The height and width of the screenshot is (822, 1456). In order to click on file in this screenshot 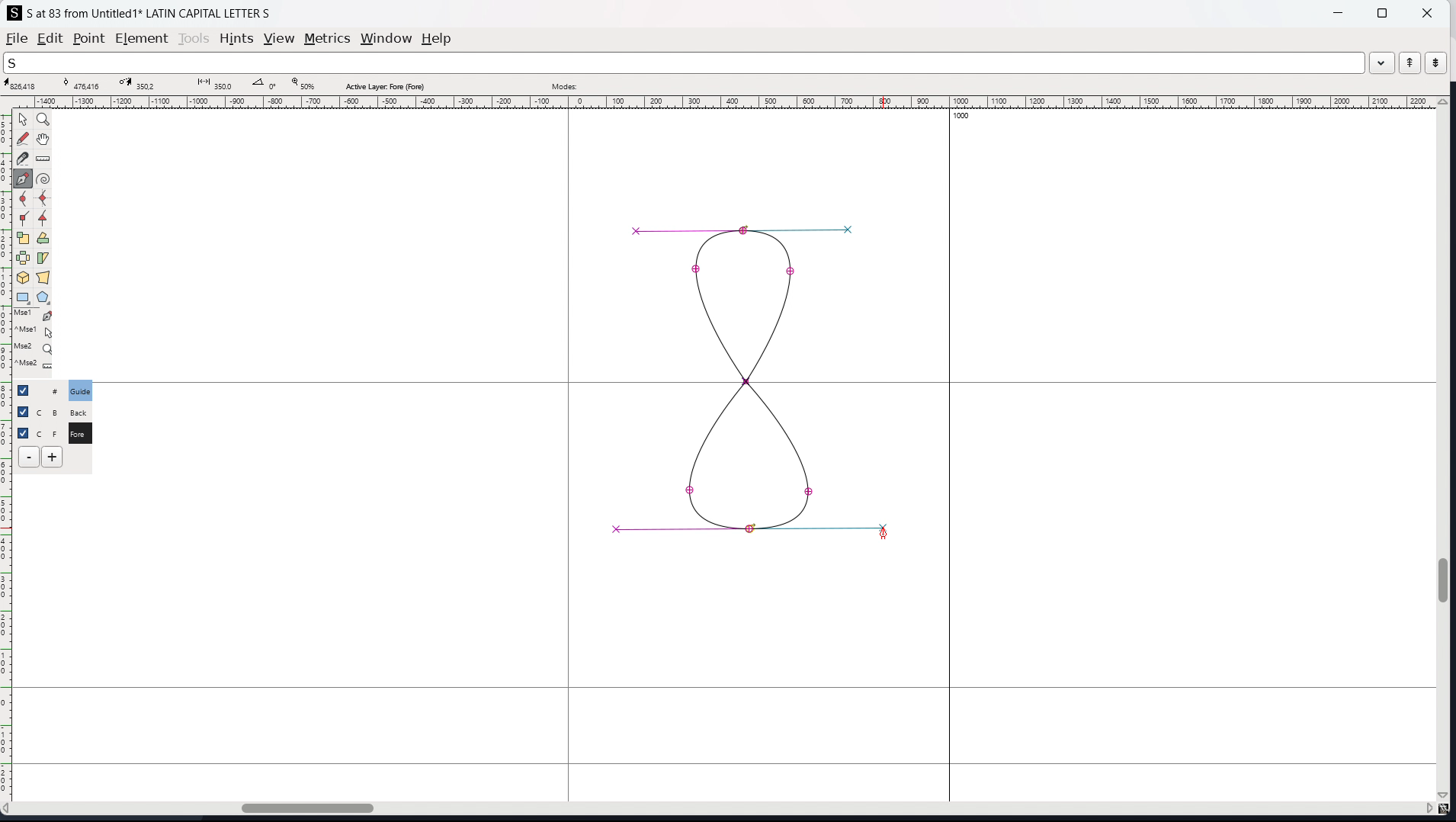, I will do `click(17, 38)`.